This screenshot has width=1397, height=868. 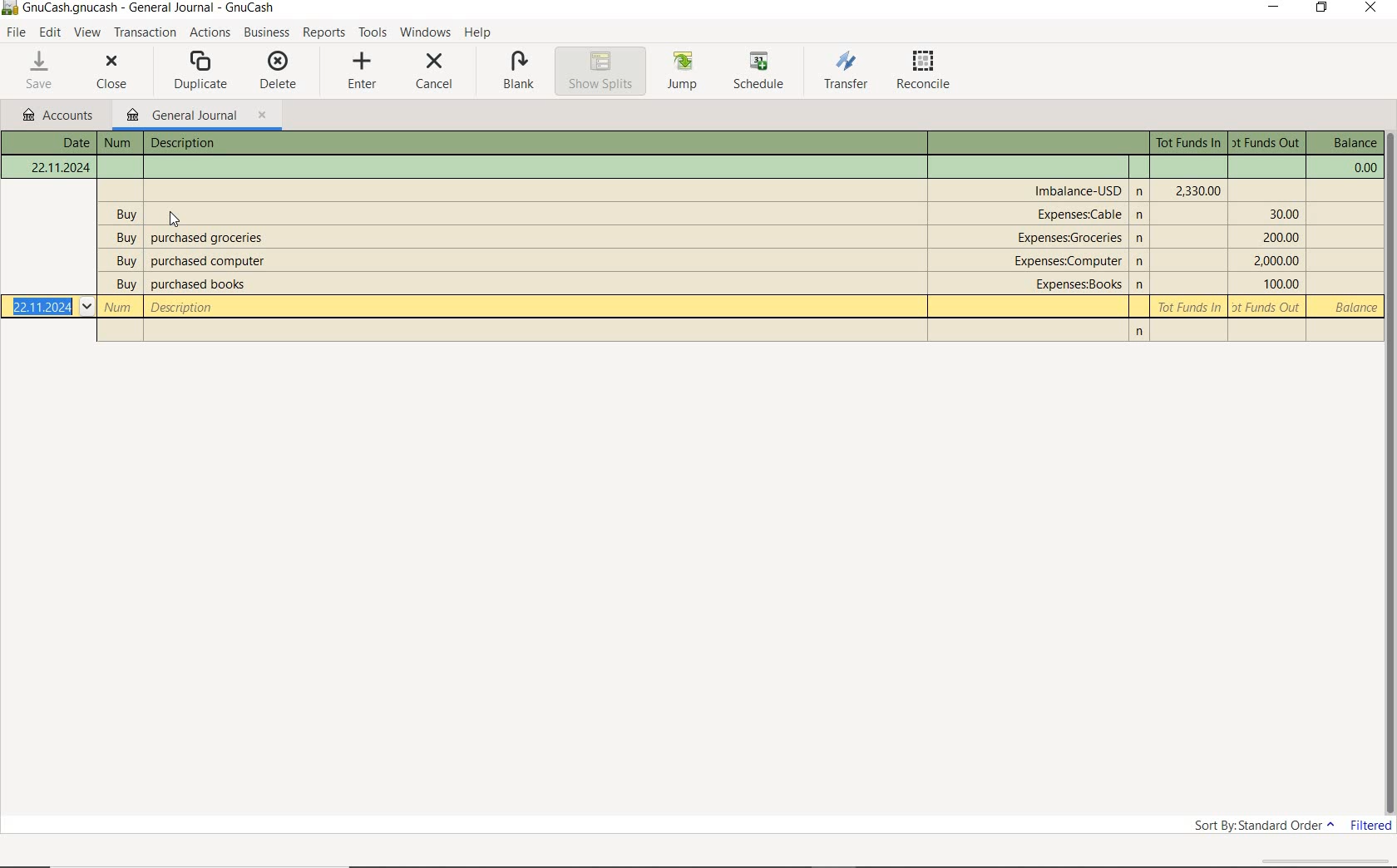 I want to click on EDIT, so click(x=50, y=33).